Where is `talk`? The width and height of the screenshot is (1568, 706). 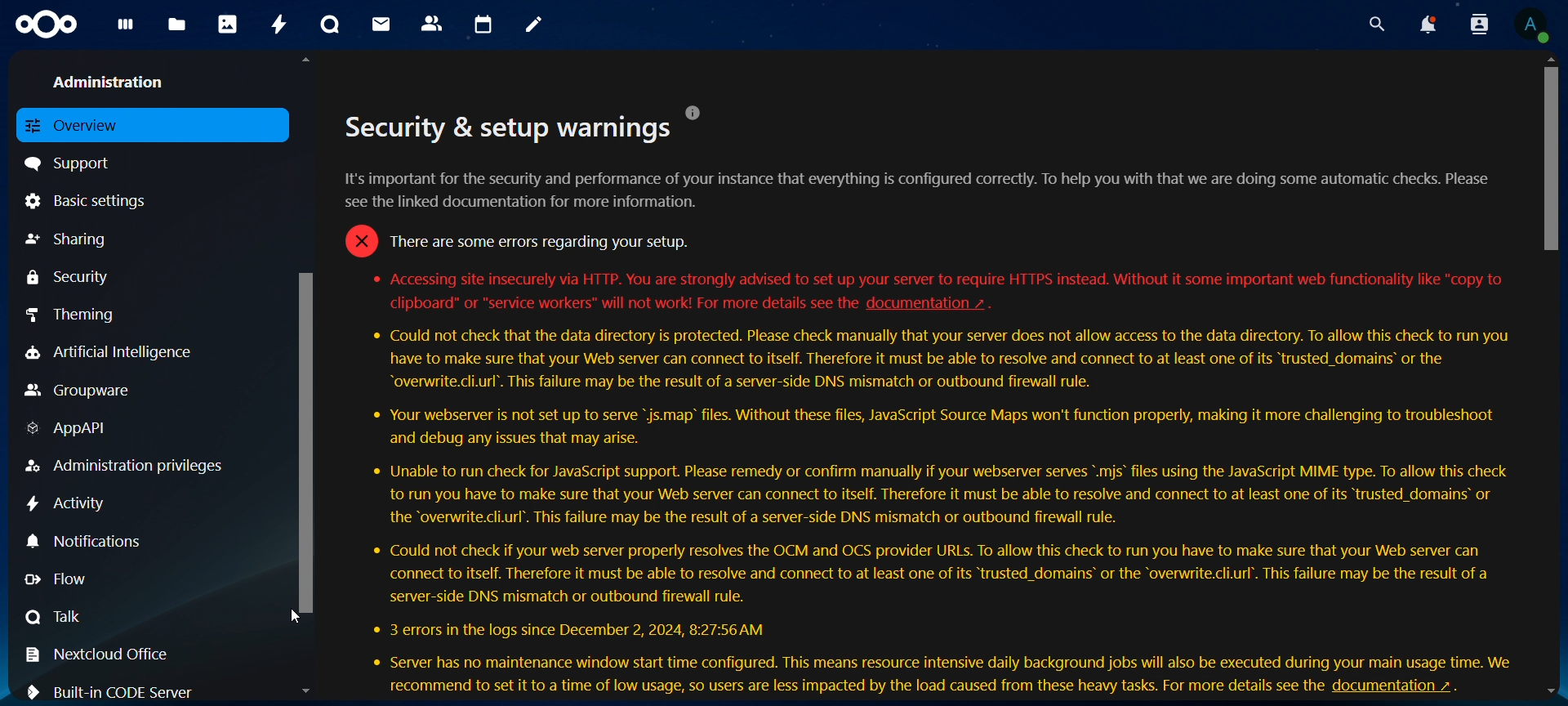 talk is located at coordinates (56, 616).